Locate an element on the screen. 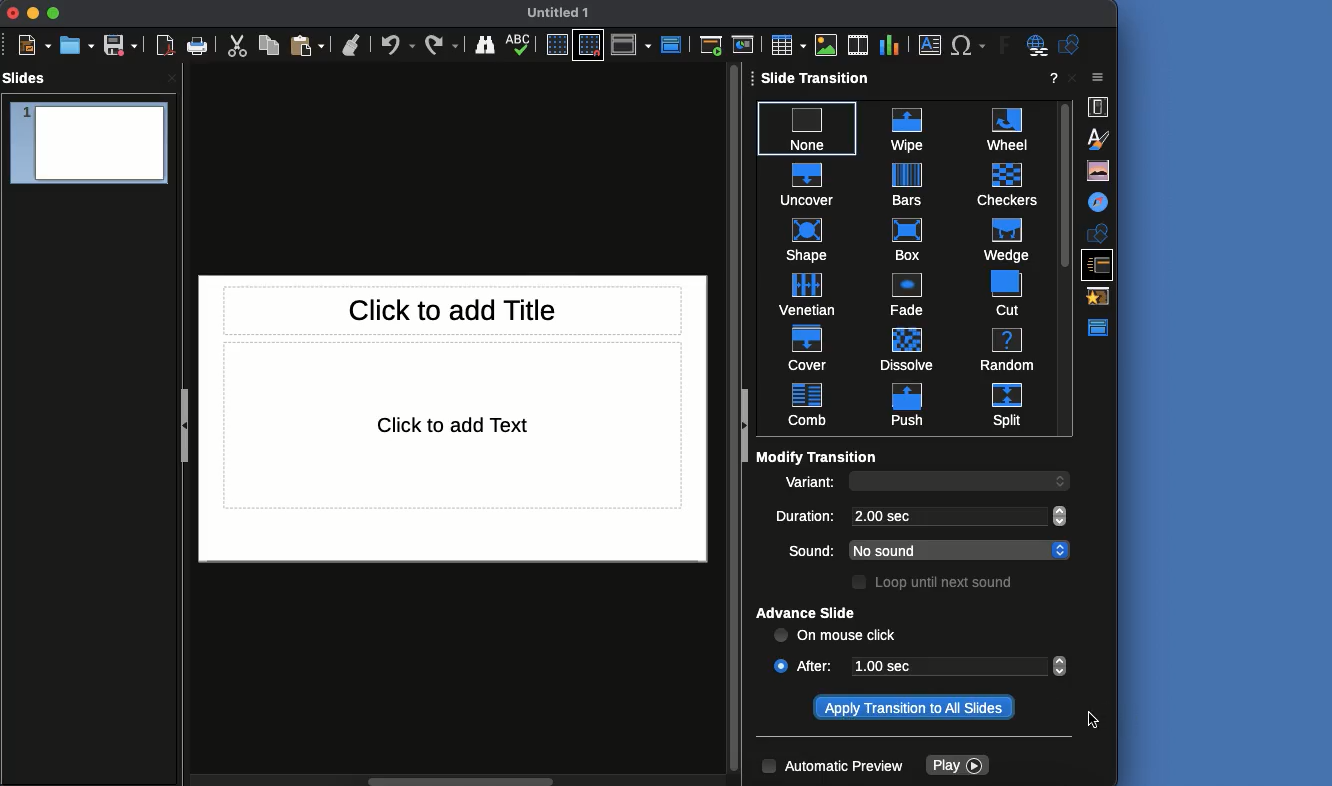  Table is located at coordinates (787, 44).